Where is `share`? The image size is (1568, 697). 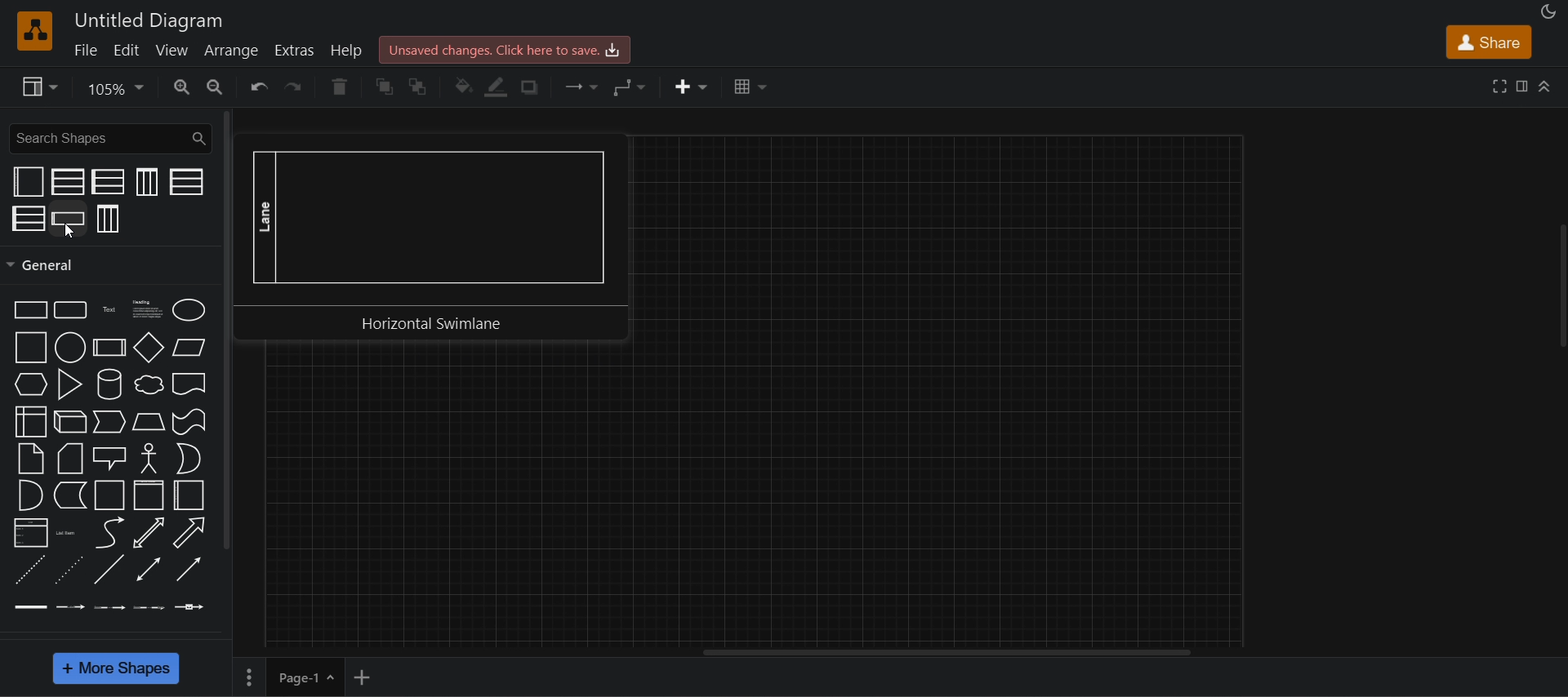 share is located at coordinates (1490, 42).